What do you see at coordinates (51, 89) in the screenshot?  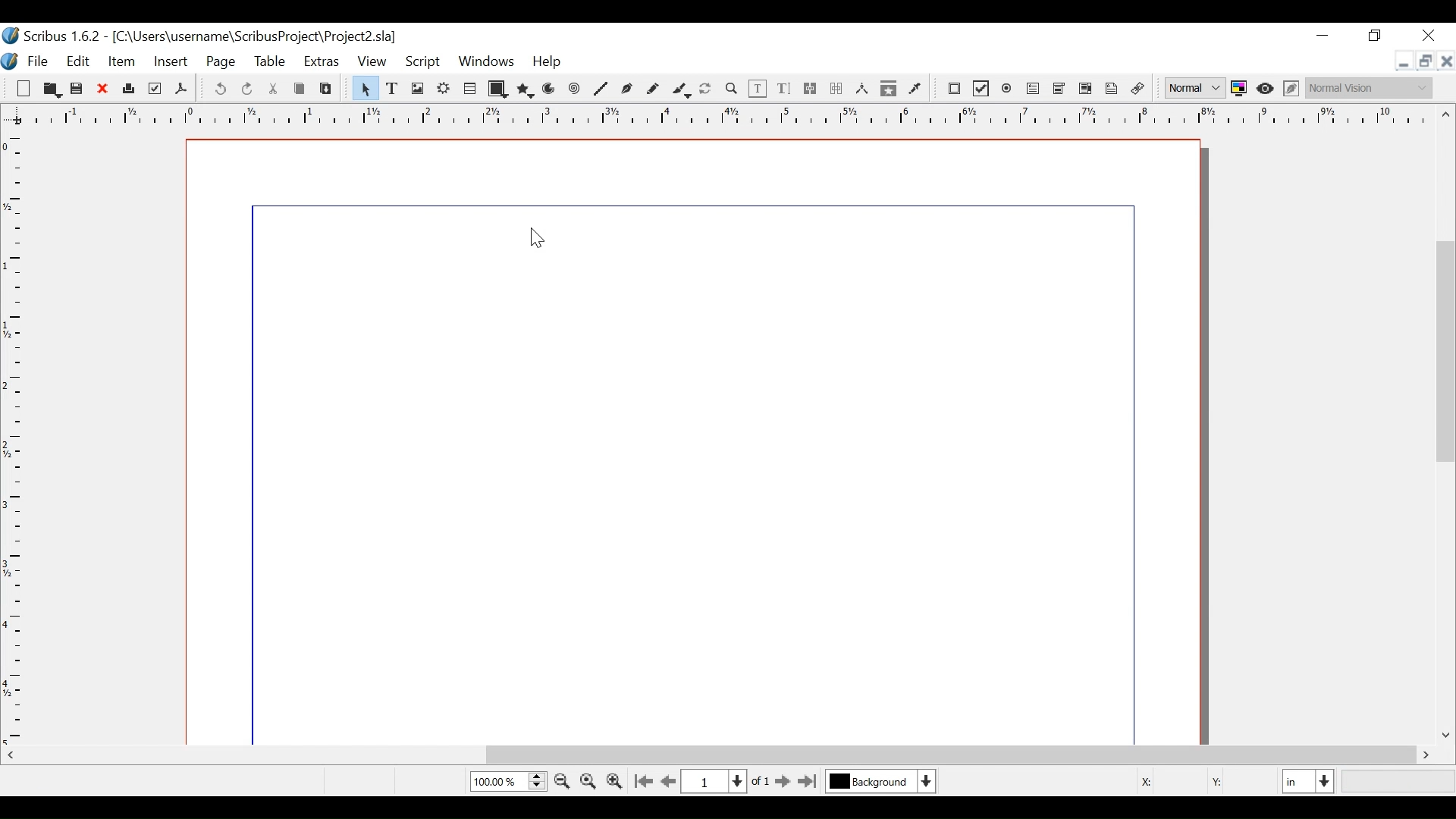 I see `Open` at bounding box center [51, 89].